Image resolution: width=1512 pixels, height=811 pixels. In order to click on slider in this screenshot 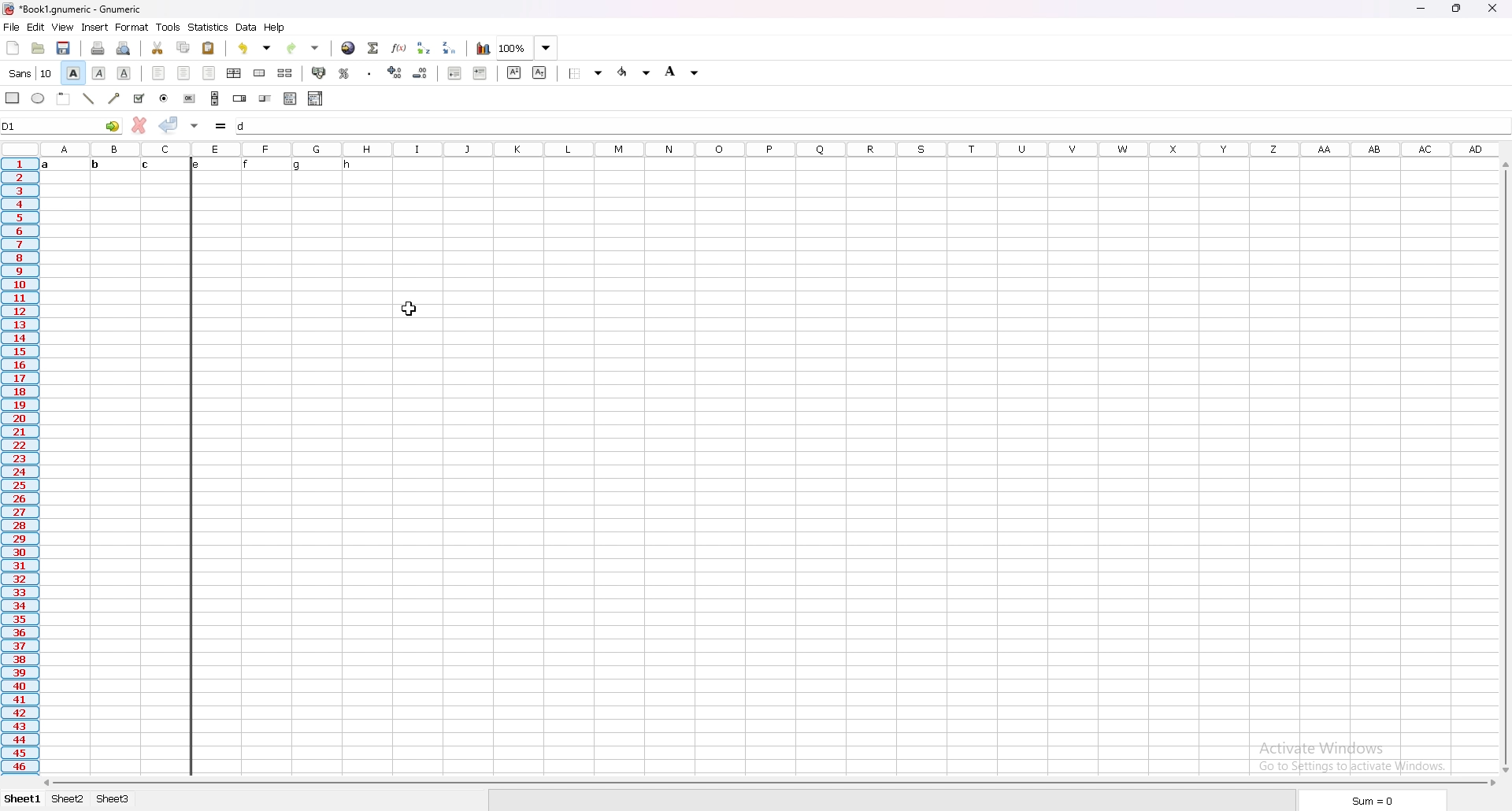, I will do `click(266, 99)`.